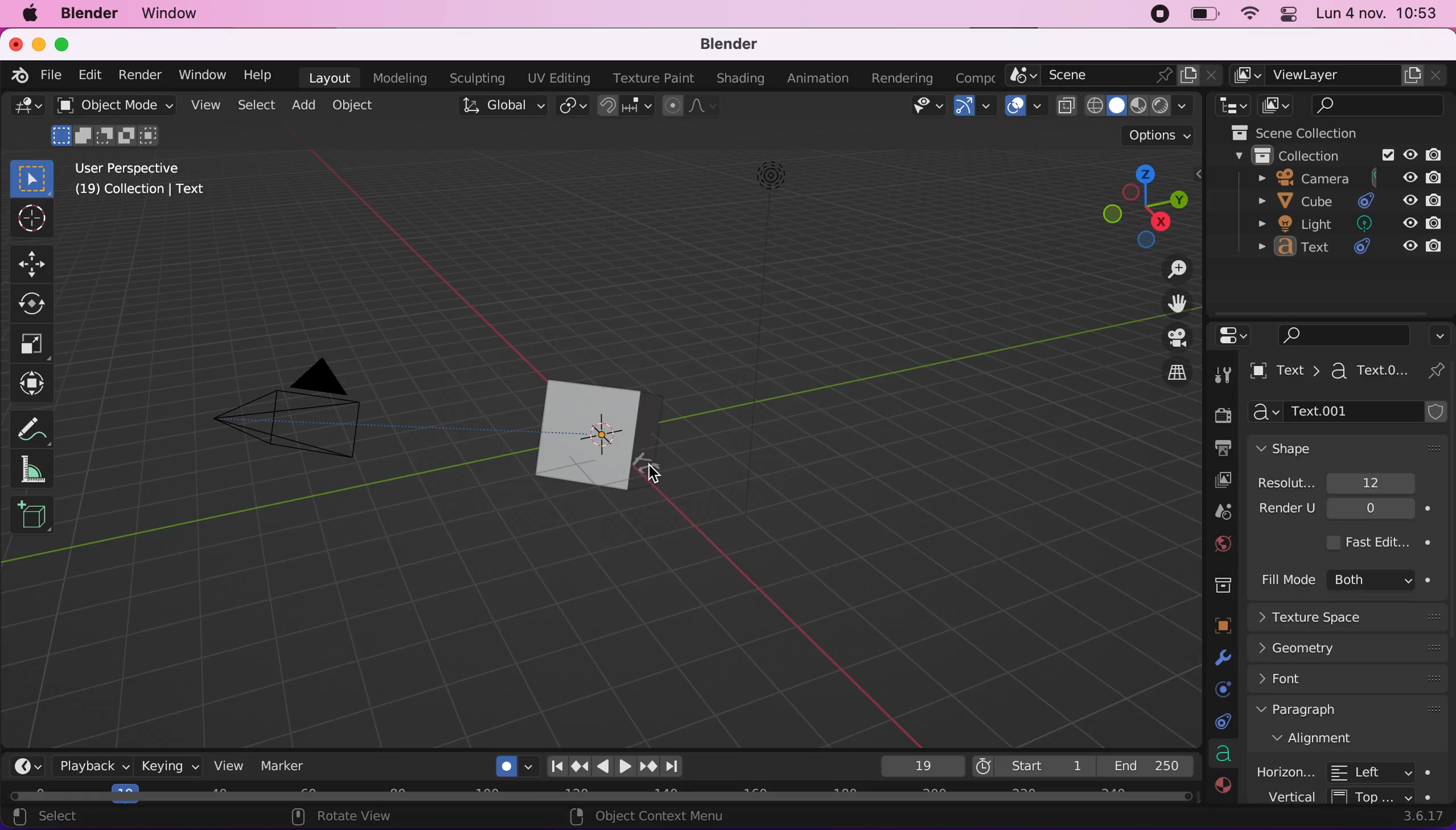  What do you see at coordinates (1328, 373) in the screenshot?
I see `text` at bounding box center [1328, 373].